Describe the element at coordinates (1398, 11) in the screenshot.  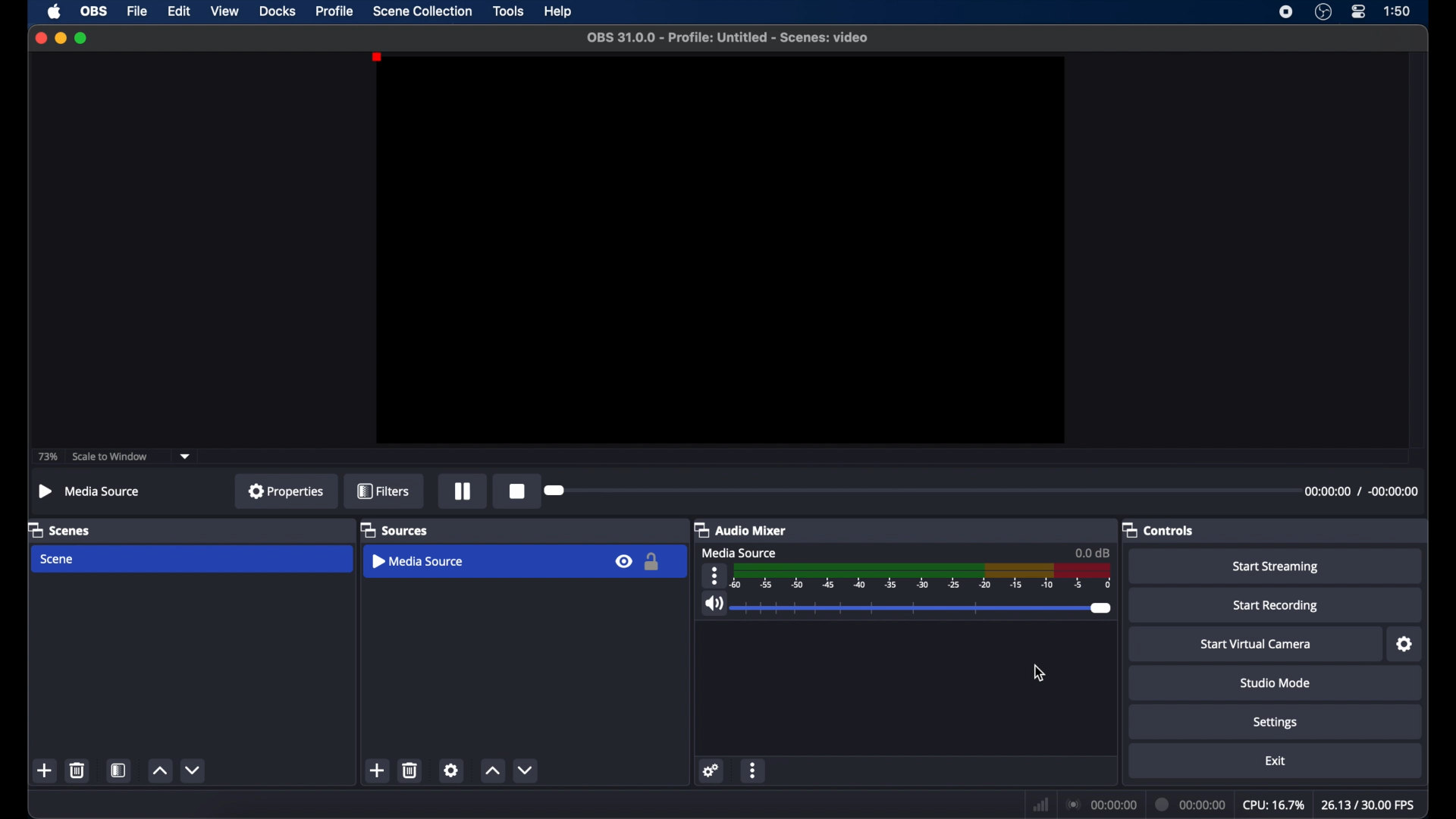
I see `time` at that location.